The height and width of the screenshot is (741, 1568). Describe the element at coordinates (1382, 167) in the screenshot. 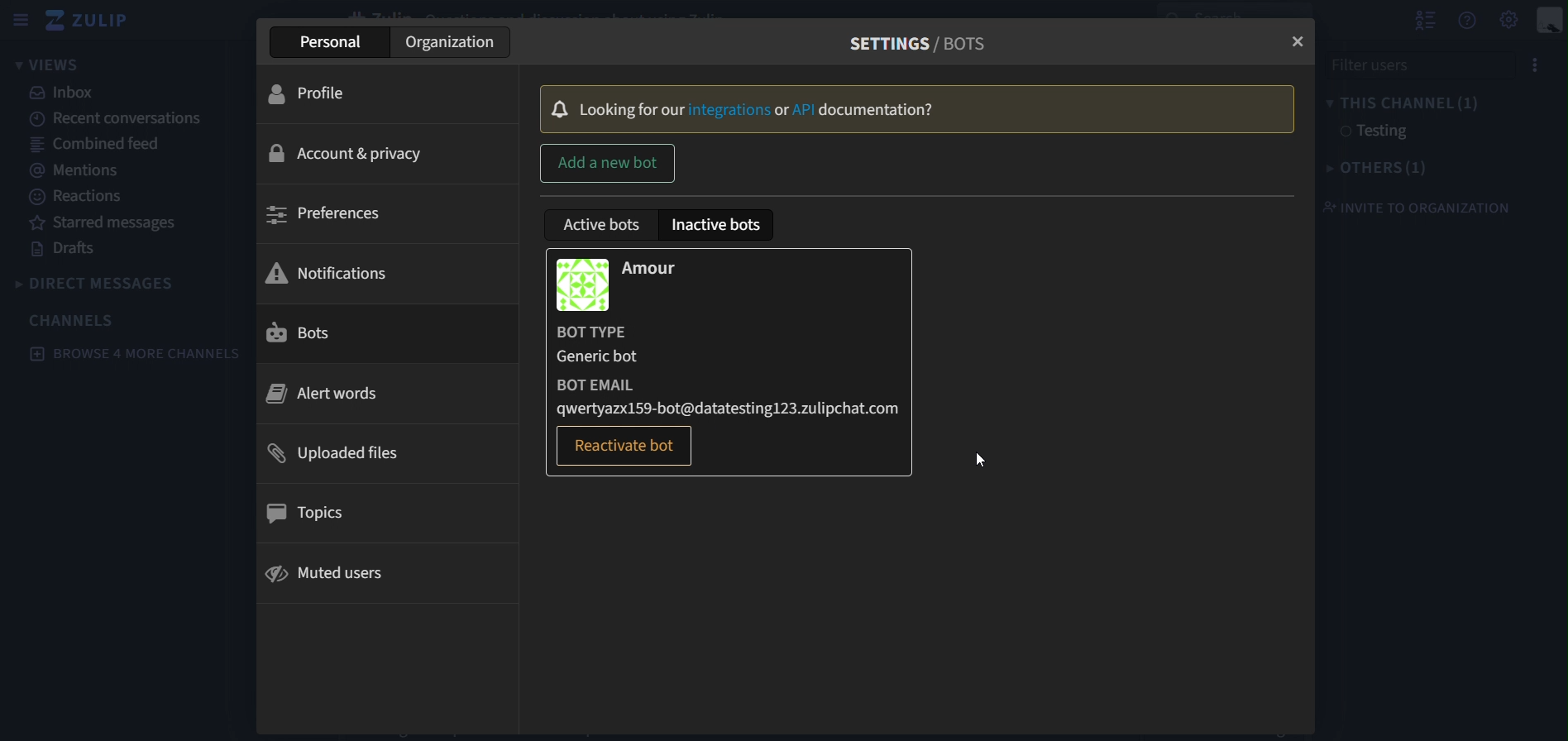

I see `others(1)` at that location.